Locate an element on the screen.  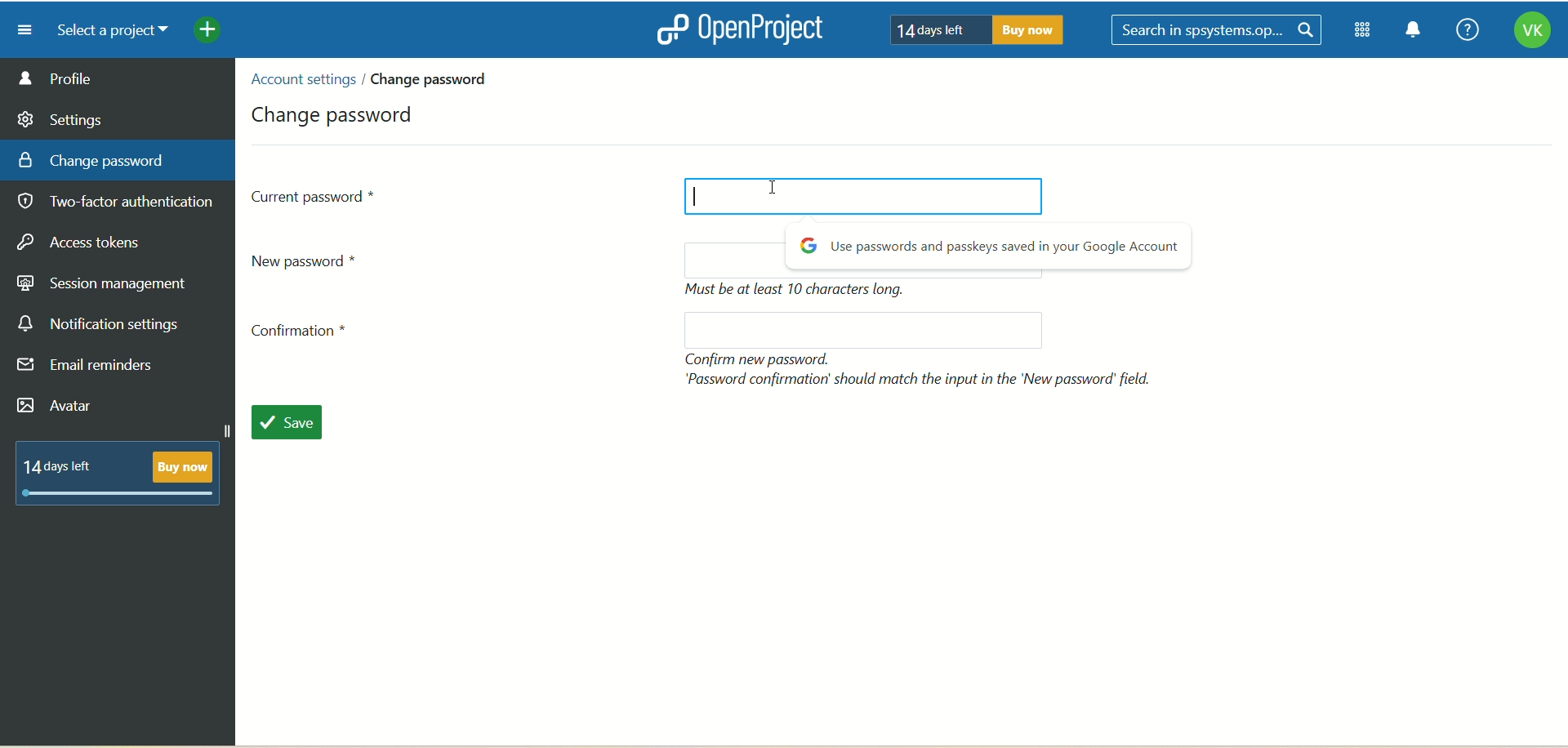
cursor is located at coordinates (781, 195).